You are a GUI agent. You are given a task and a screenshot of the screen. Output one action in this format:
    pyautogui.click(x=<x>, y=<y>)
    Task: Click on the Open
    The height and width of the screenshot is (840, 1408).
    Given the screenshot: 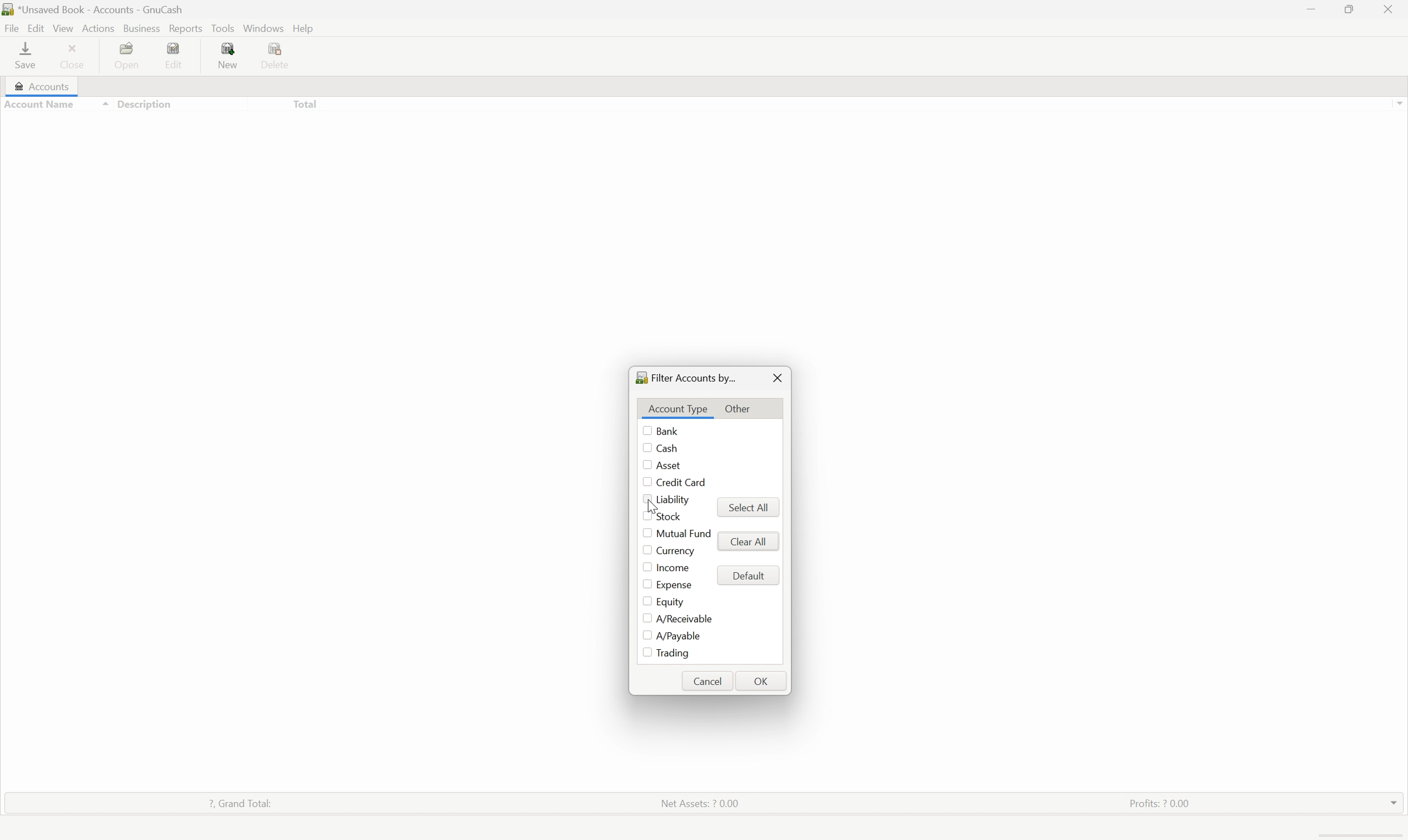 What is the action you would take?
    pyautogui.click(x=131, y=53)
    